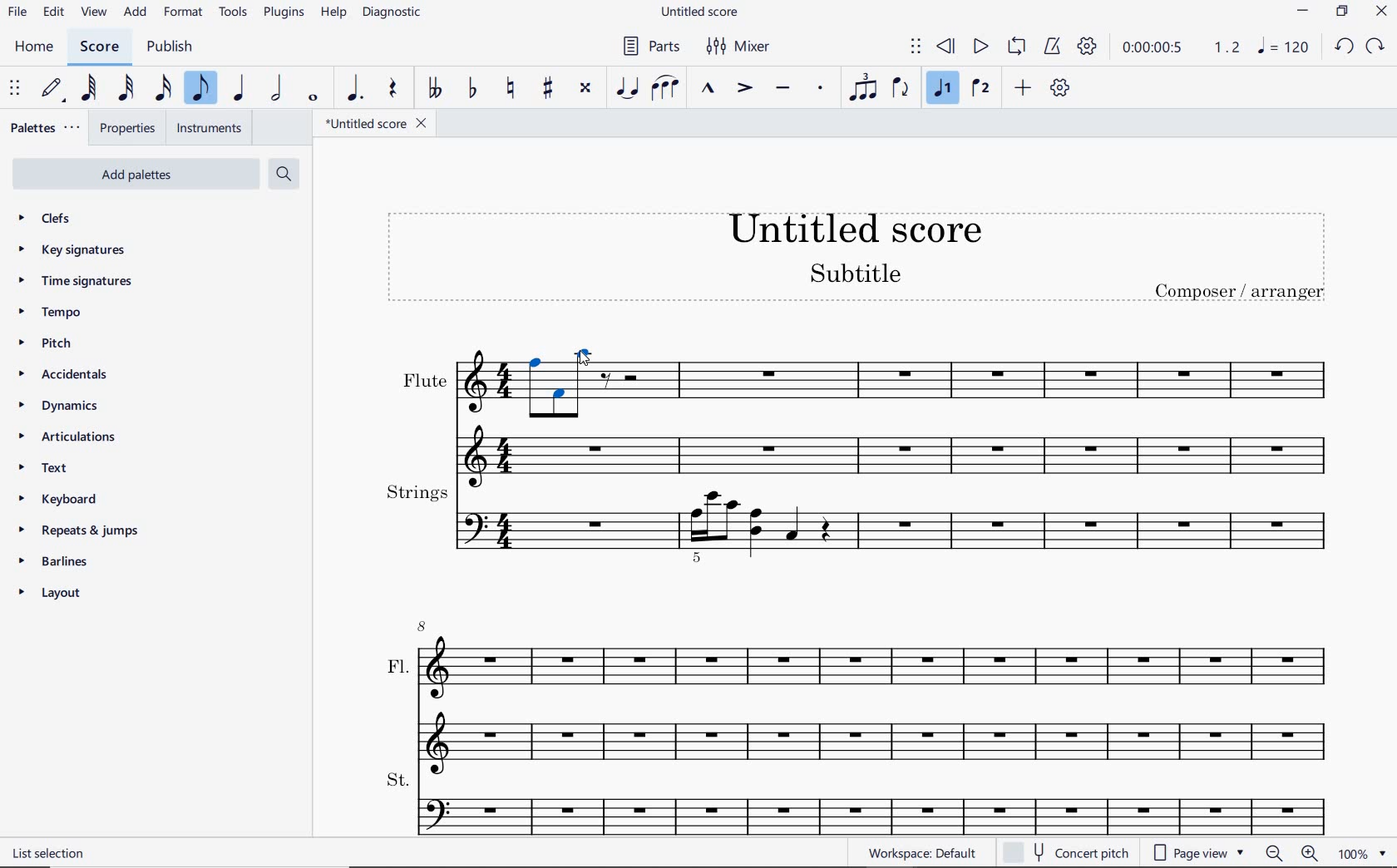 The width and height of the screenshot is (1397, 868). Describe the element at coordinates (856, 412) in the screenshot. I see `flute` at that location.